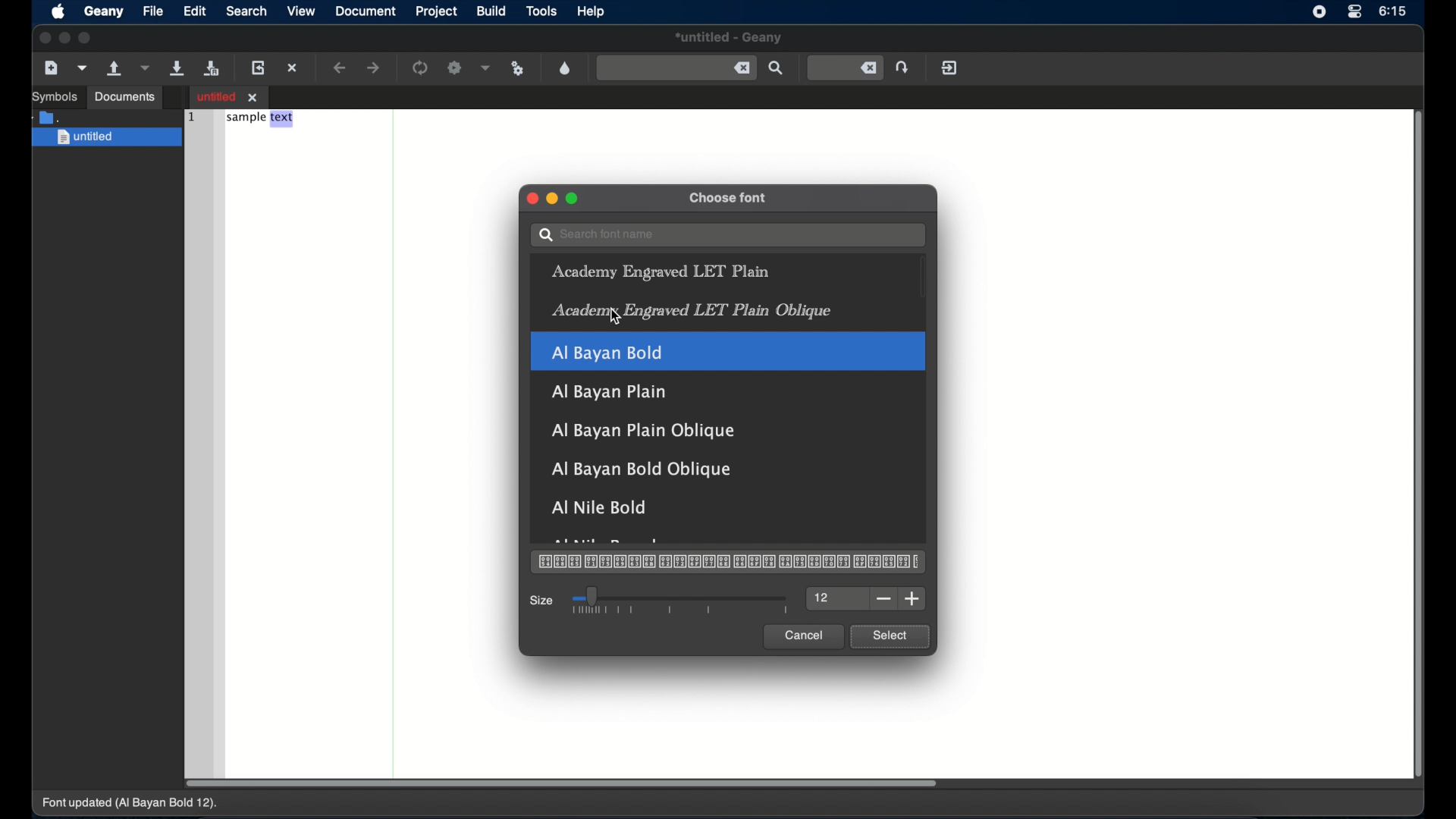 The image size is (1456, 819). I want to click on open a recent file, so click(146, 67).